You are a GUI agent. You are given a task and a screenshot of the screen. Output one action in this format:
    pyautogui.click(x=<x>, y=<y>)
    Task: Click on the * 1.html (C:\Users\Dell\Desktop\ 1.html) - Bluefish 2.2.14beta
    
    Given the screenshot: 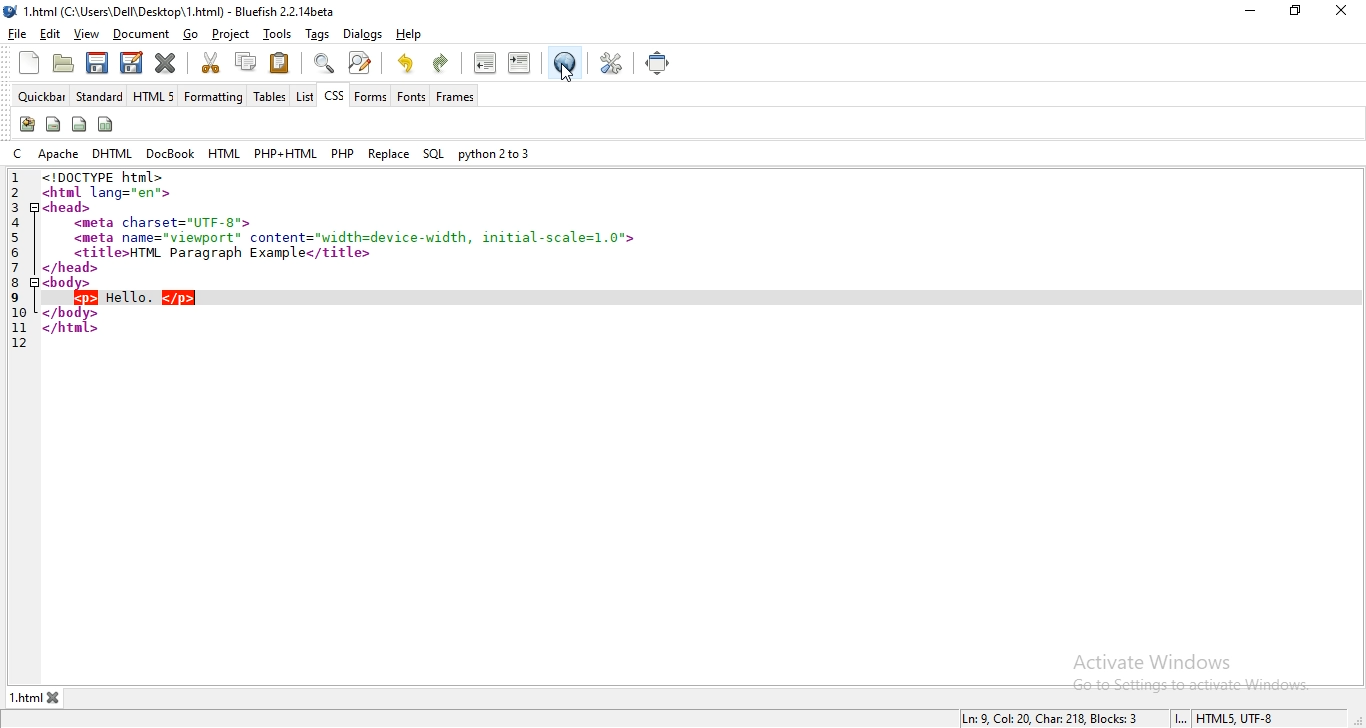 What is the action you would take?
    pyautogui.click(x=186, y=12)
    